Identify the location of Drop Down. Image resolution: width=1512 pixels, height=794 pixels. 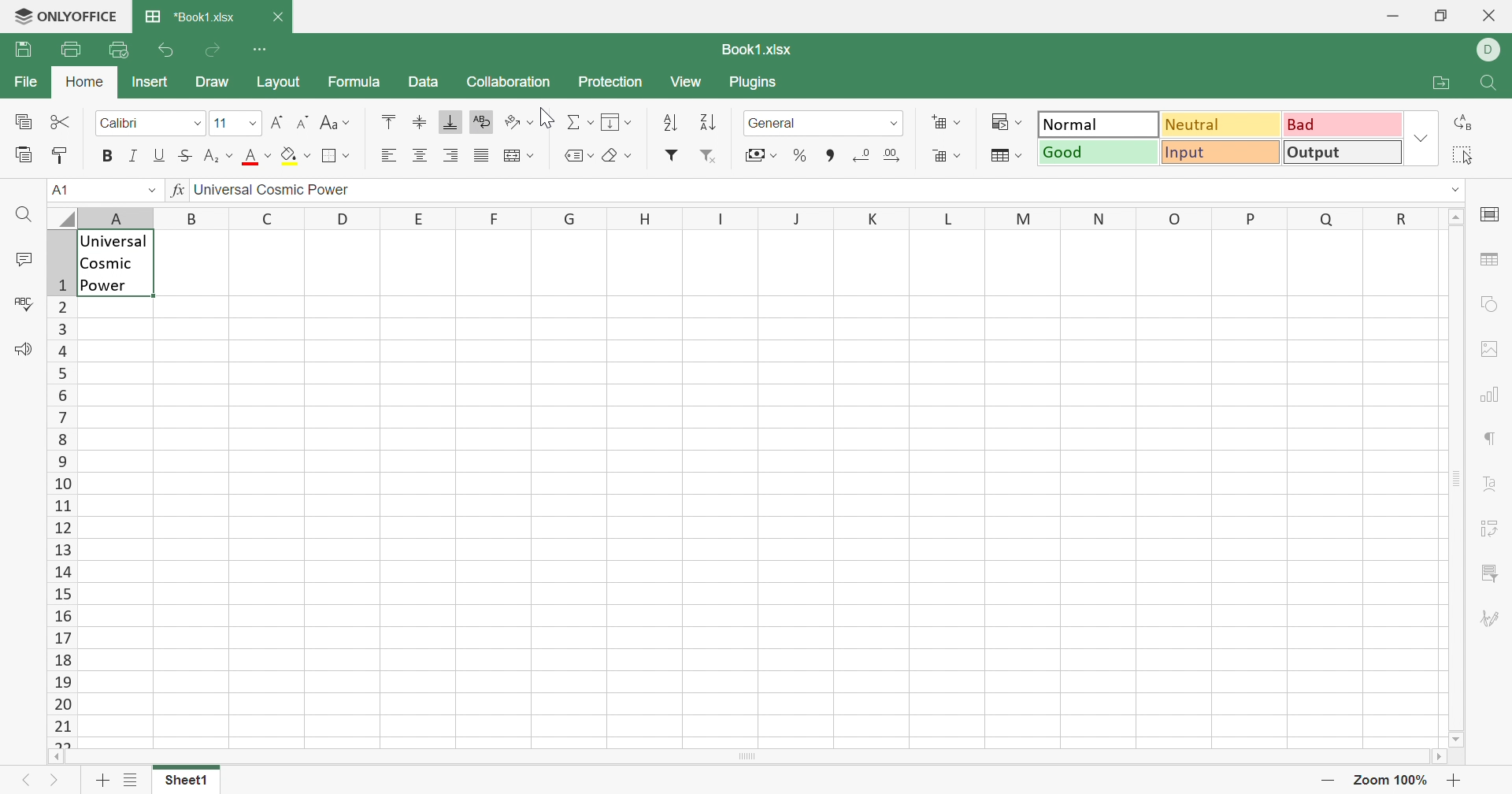
(195, 123).